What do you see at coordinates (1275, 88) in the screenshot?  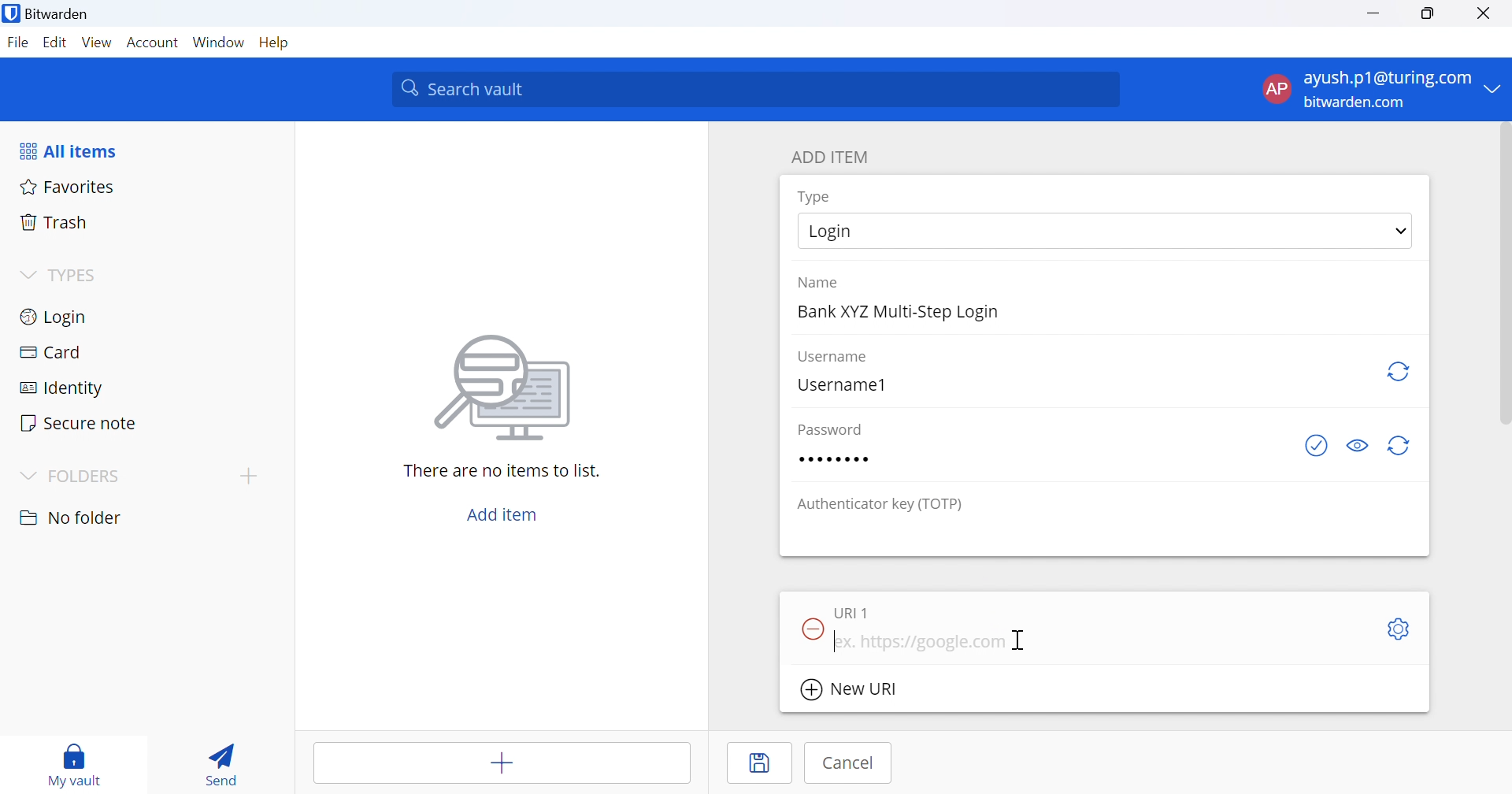 I see `AP` at bounding box center [1275, 88].